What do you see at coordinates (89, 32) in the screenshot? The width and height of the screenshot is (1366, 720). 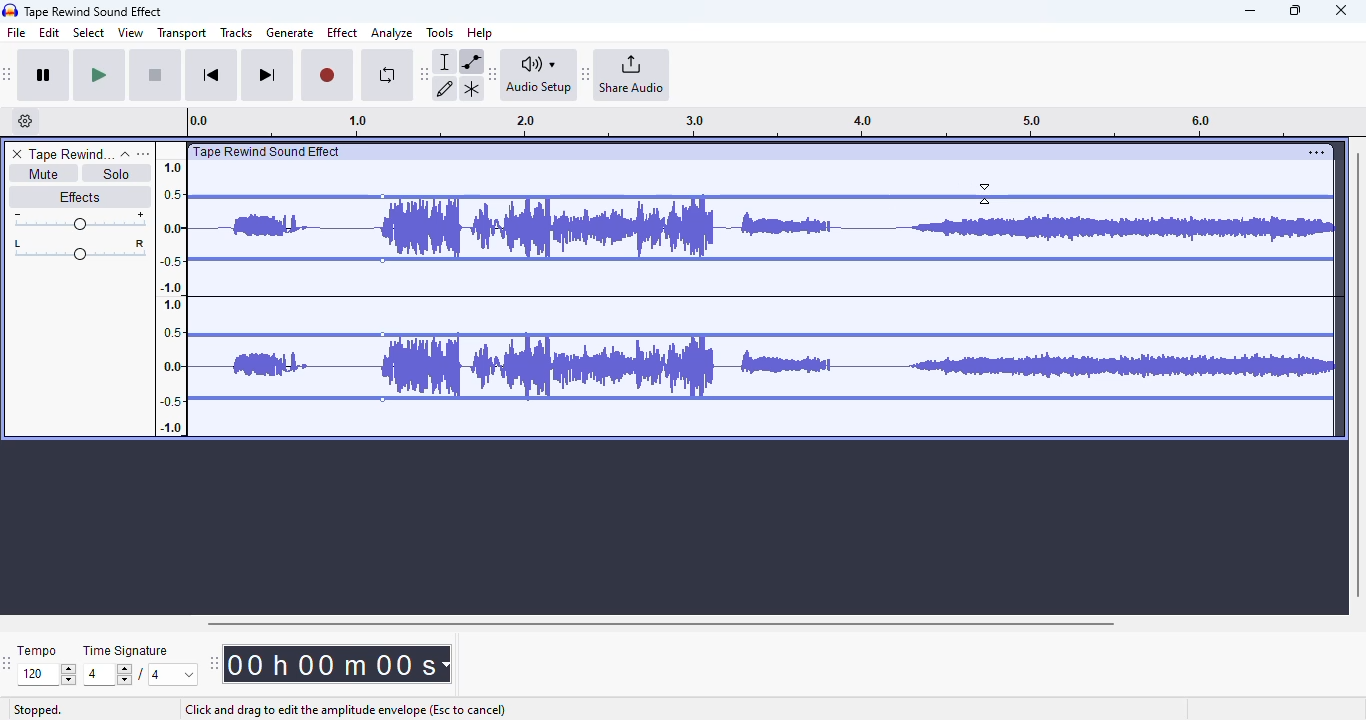 I see `select` at bounding box center [89, 32].